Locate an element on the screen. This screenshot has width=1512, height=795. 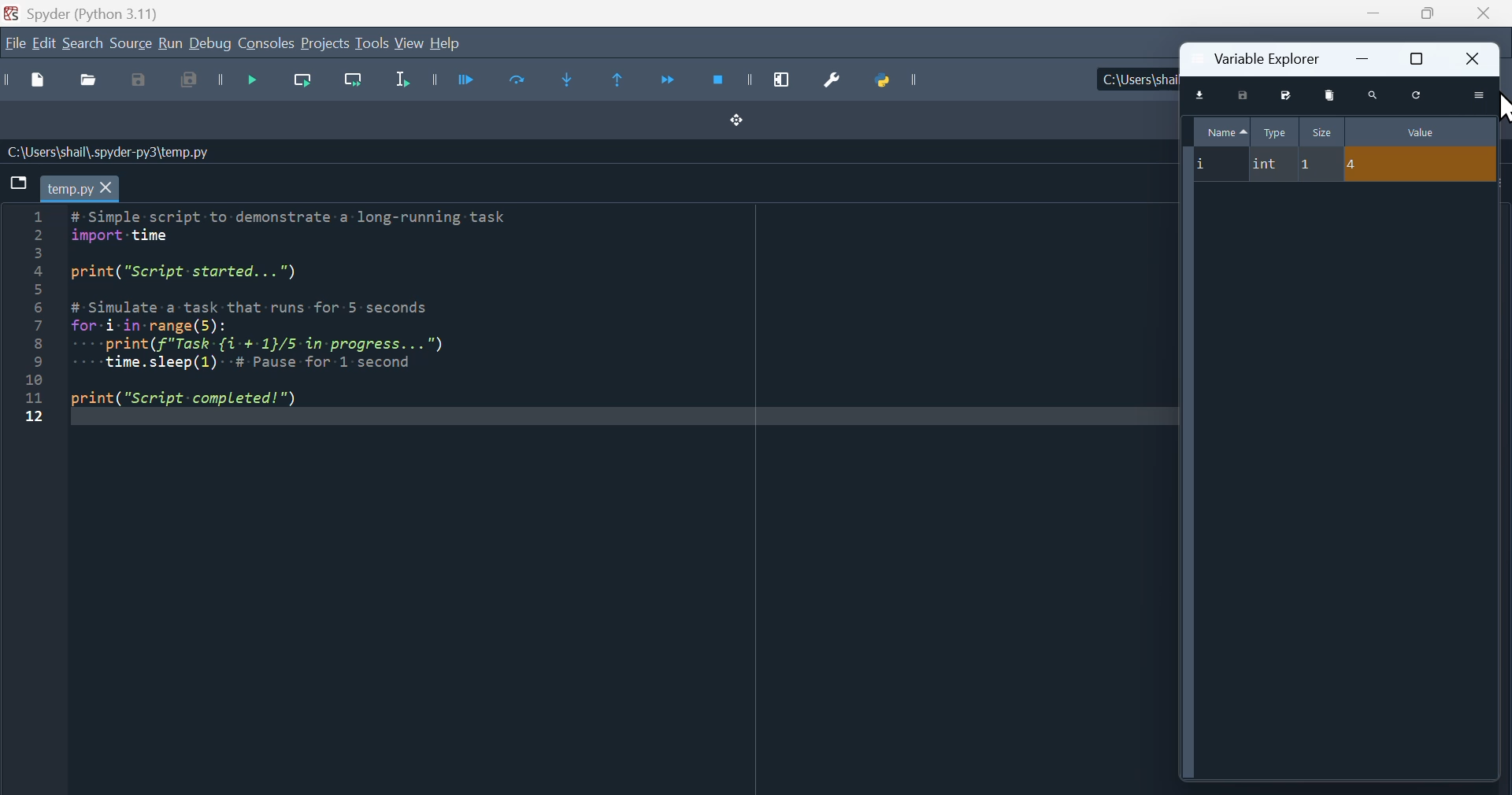
refresh variables is located at coordinates (1419, 94).